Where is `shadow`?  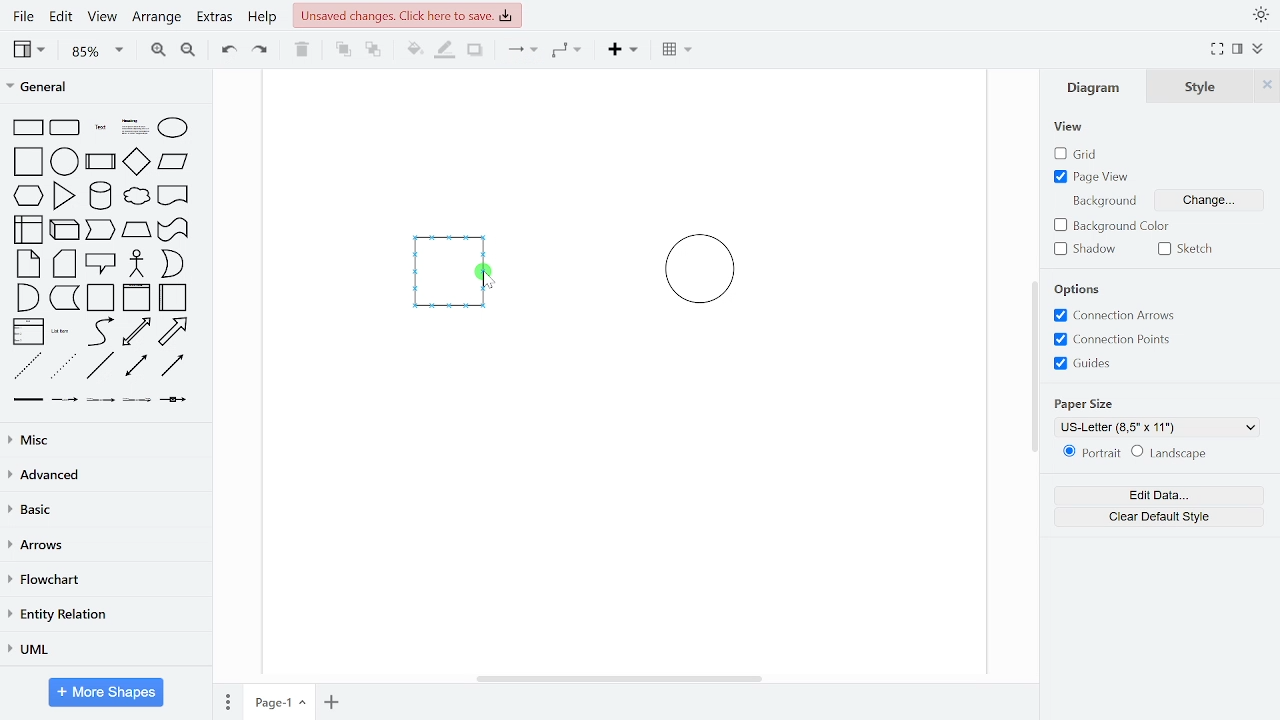 shadow is located at coordinates (1090, 249).